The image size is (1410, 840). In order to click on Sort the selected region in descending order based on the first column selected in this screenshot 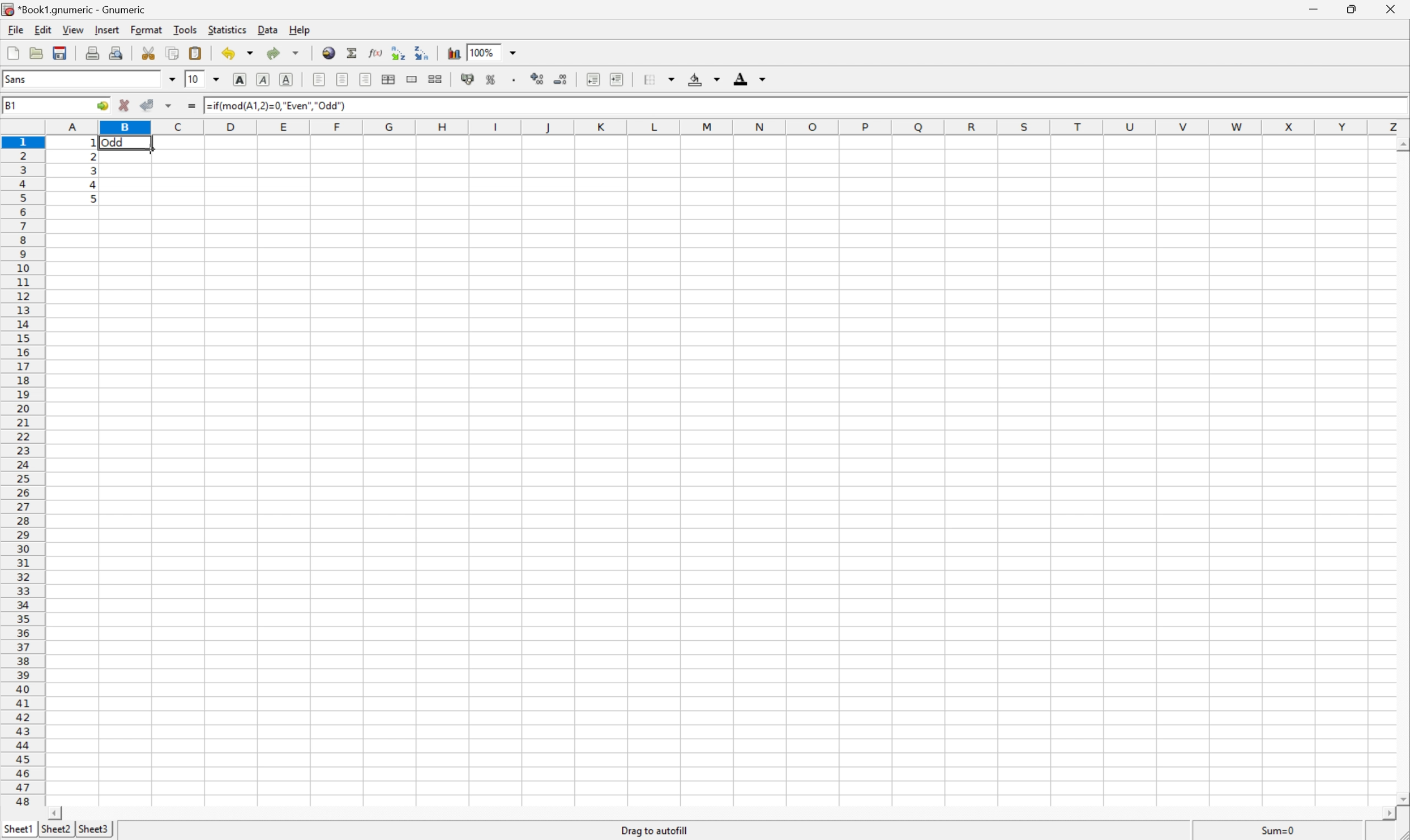, I will do `click(421, 52)`.